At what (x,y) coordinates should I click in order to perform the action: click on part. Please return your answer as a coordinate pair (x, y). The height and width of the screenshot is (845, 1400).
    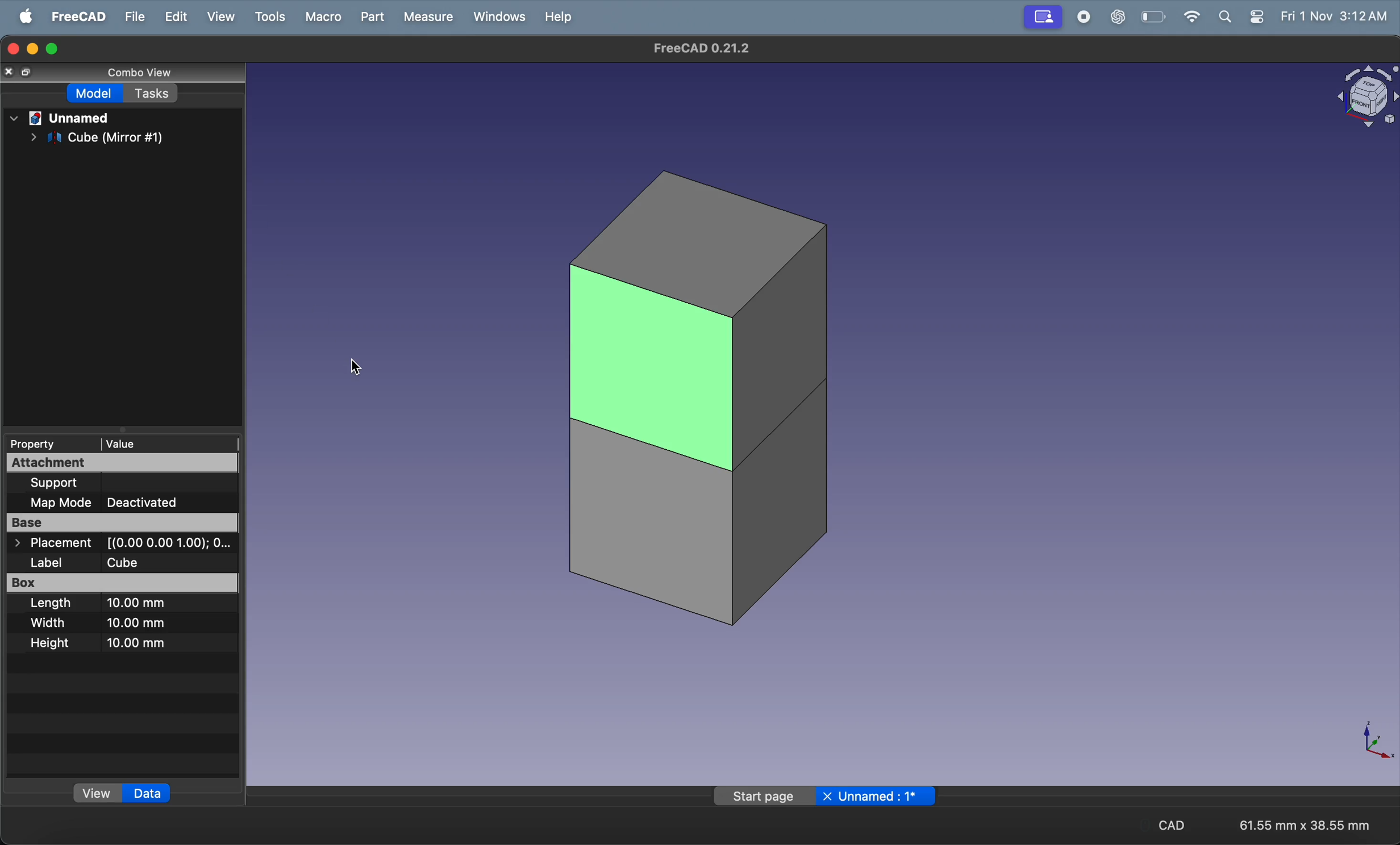
    Looking at the image, I should click on (372, 17).